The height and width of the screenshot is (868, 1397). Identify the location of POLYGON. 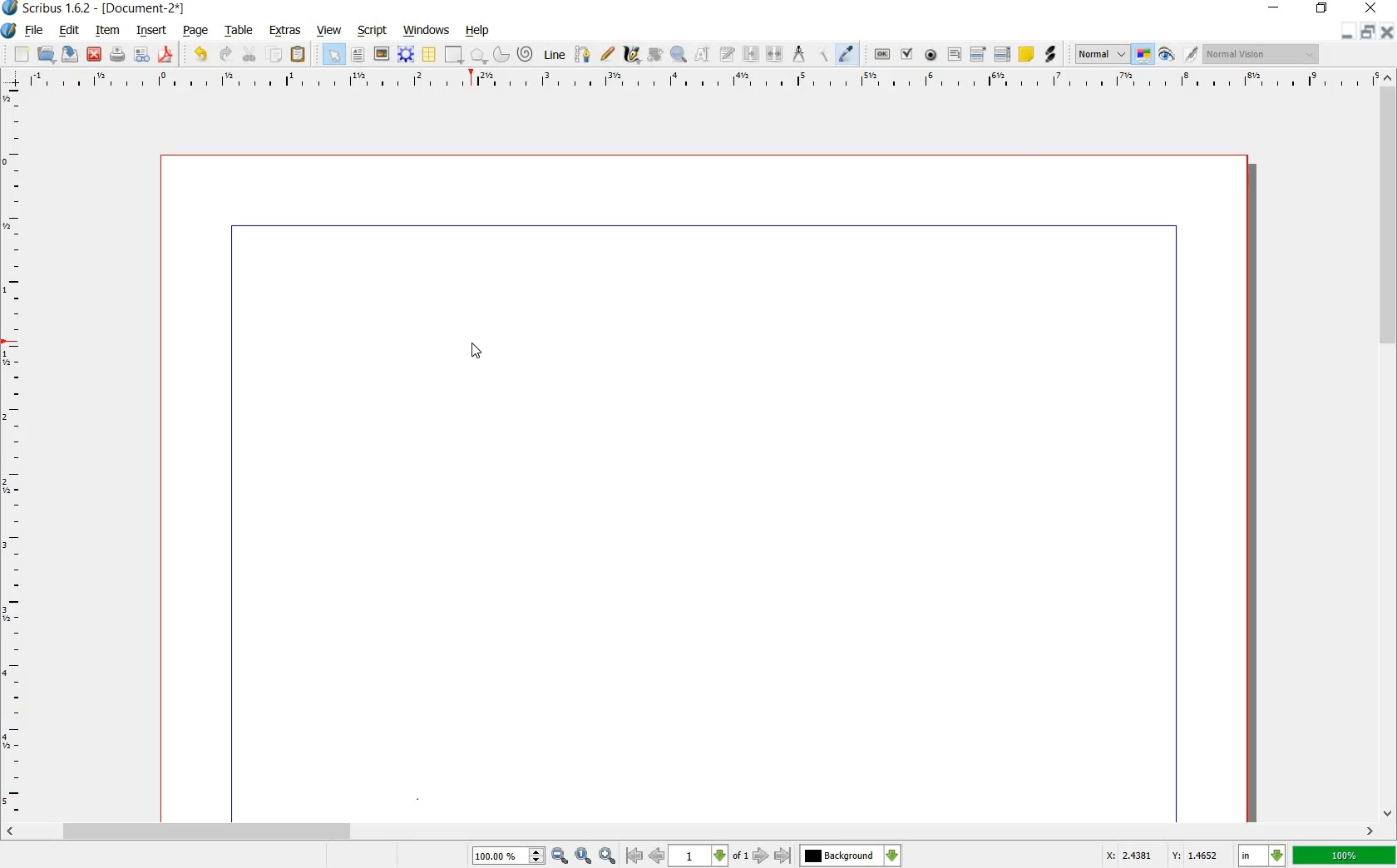
(479, 57).